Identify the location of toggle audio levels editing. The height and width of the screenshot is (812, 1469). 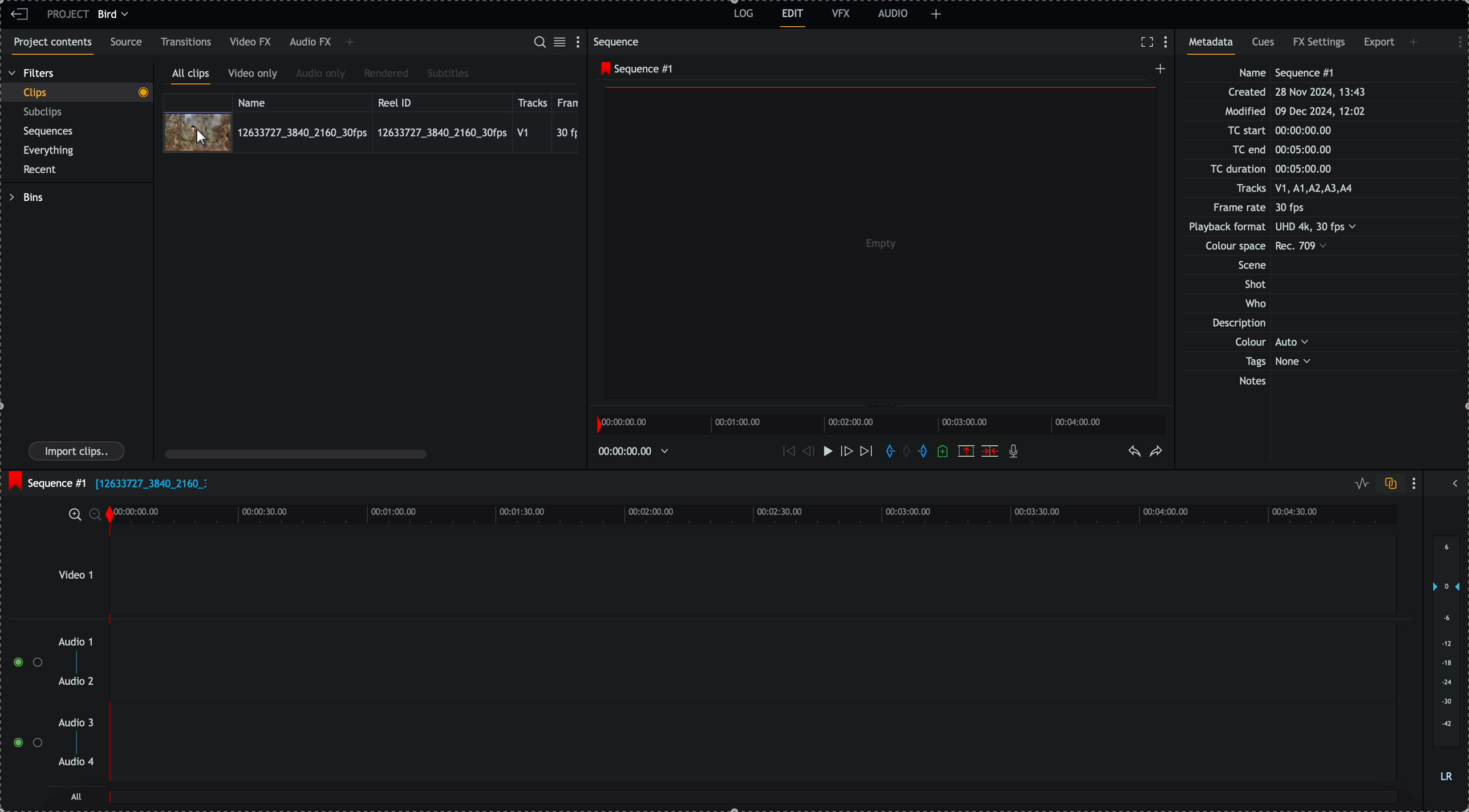
(1359, 484).